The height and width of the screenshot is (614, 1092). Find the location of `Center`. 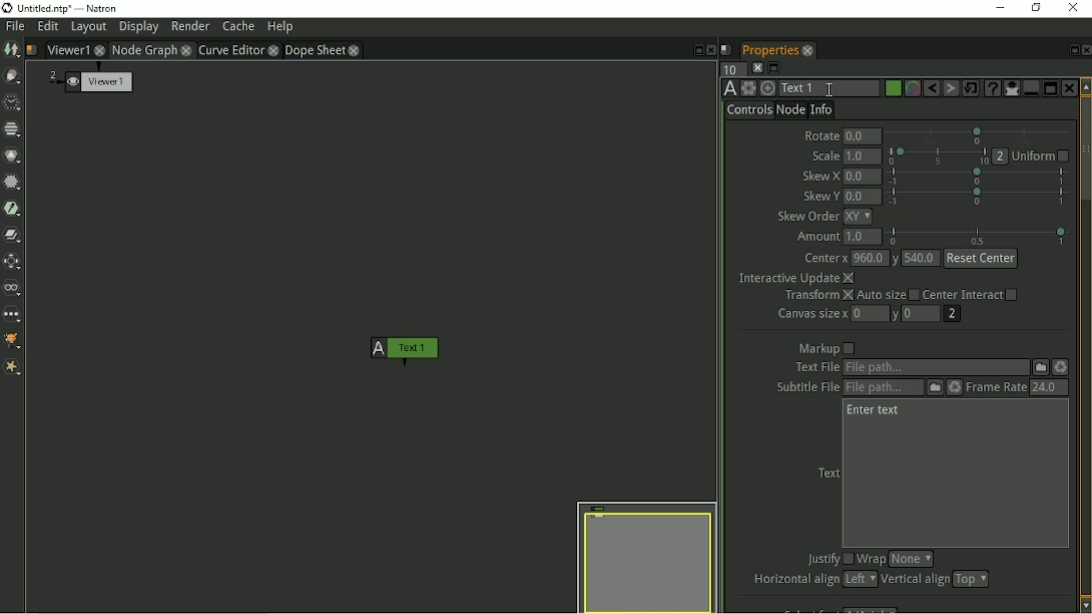

Center is located at coordinates (823, 256).